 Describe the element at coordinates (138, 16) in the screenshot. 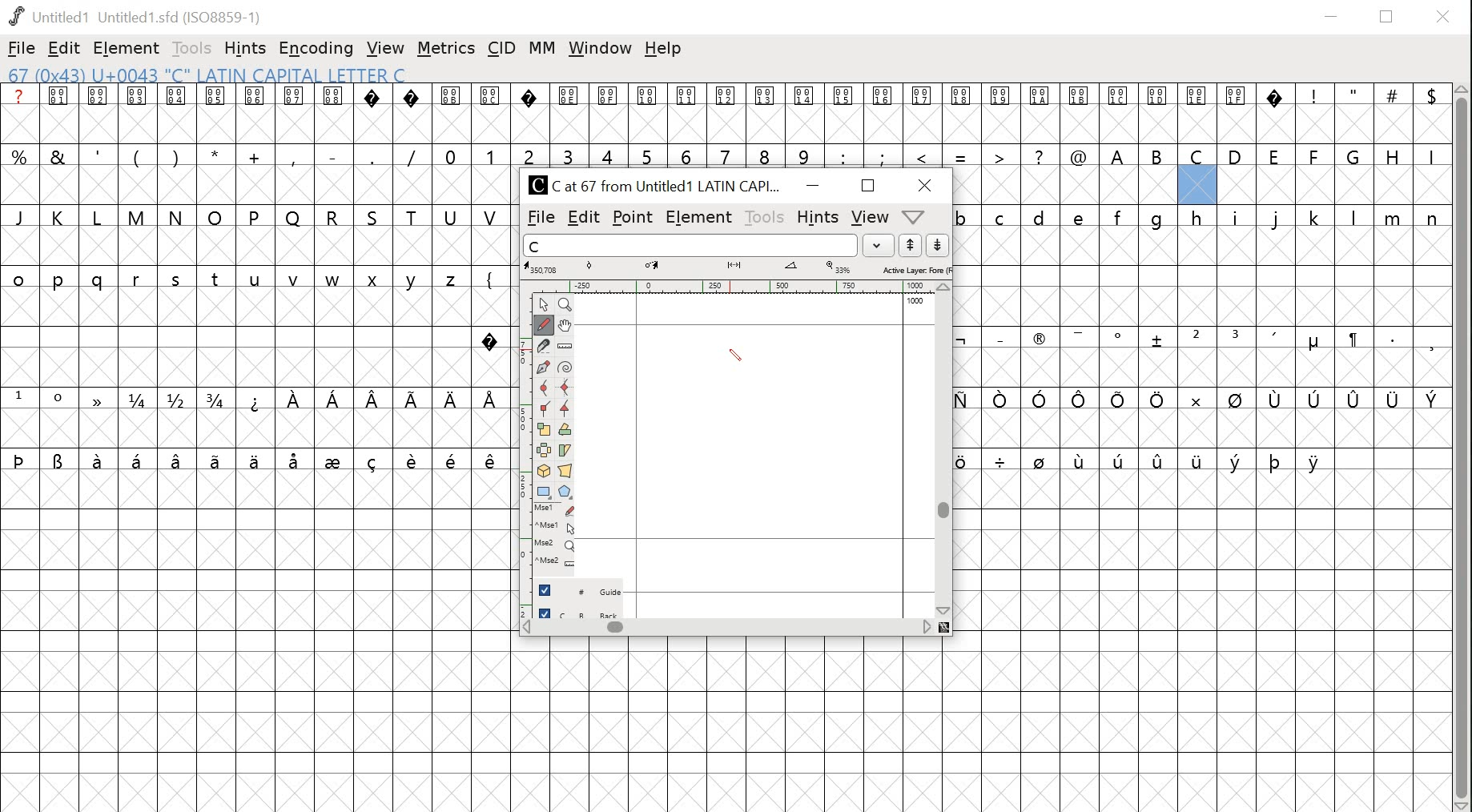

I see `Untitled1 Untitled 1.sfd (IS08859-1)` at that location.